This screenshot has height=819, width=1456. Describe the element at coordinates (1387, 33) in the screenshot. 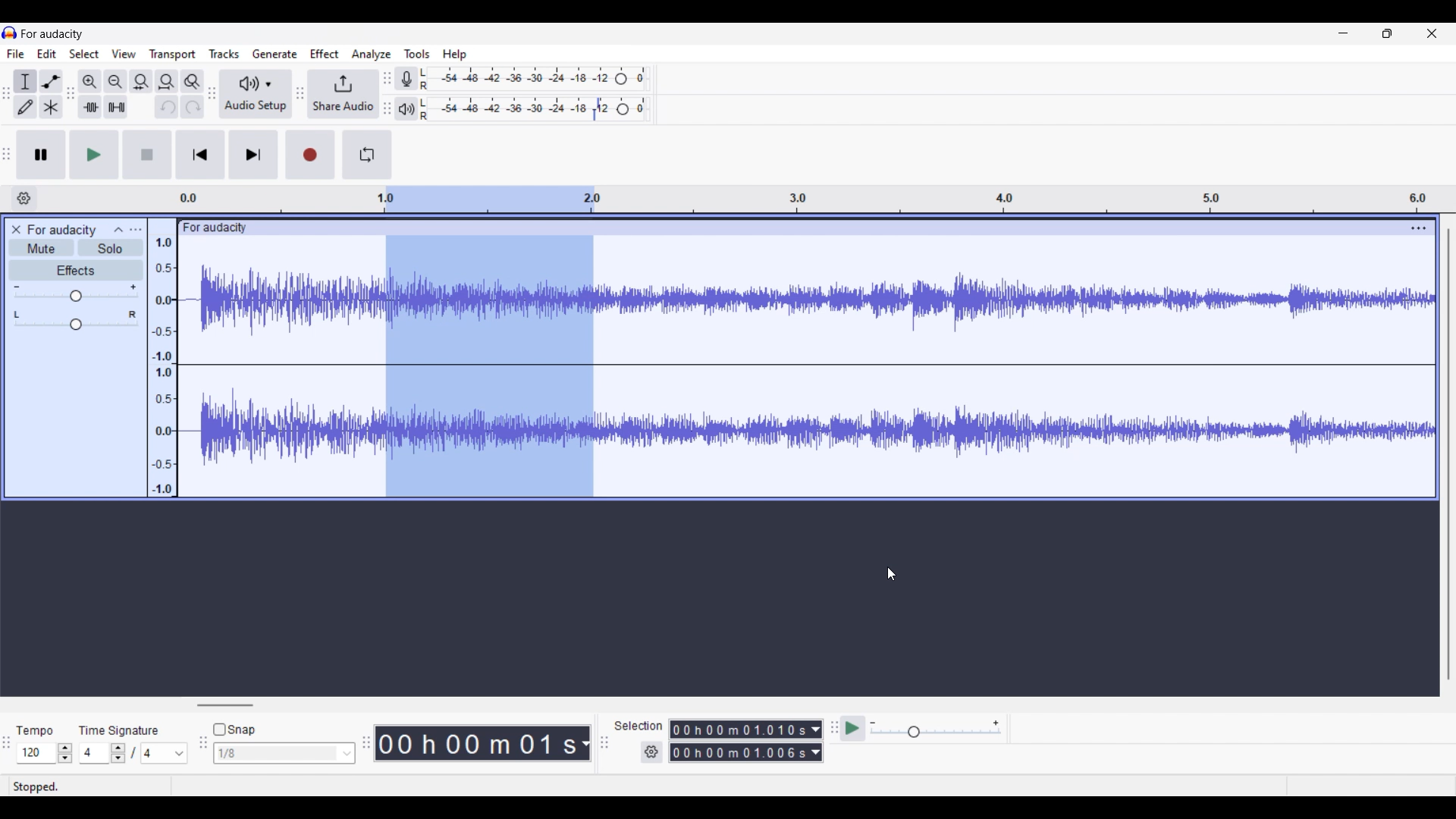

I see `Show in smaller tab` at that location.